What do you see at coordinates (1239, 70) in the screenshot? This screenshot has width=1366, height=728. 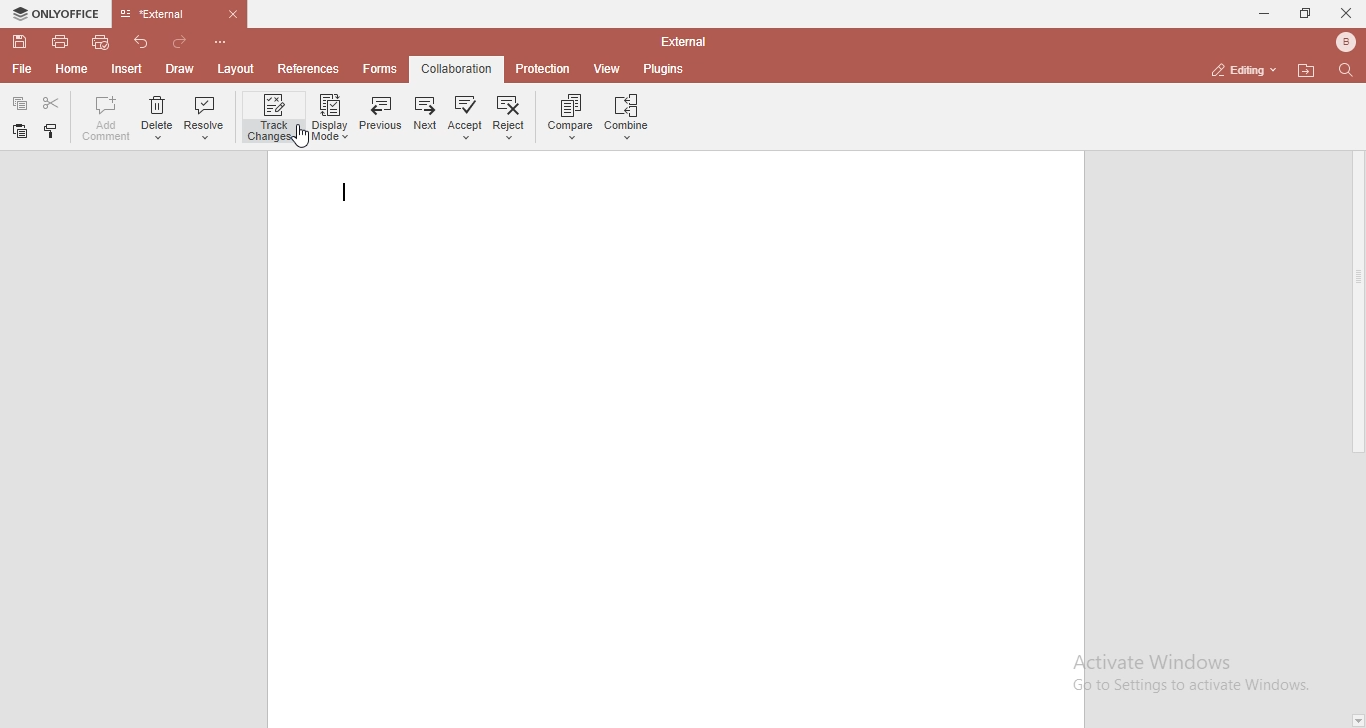 I see `editing` at bounding box center [1239, 70].